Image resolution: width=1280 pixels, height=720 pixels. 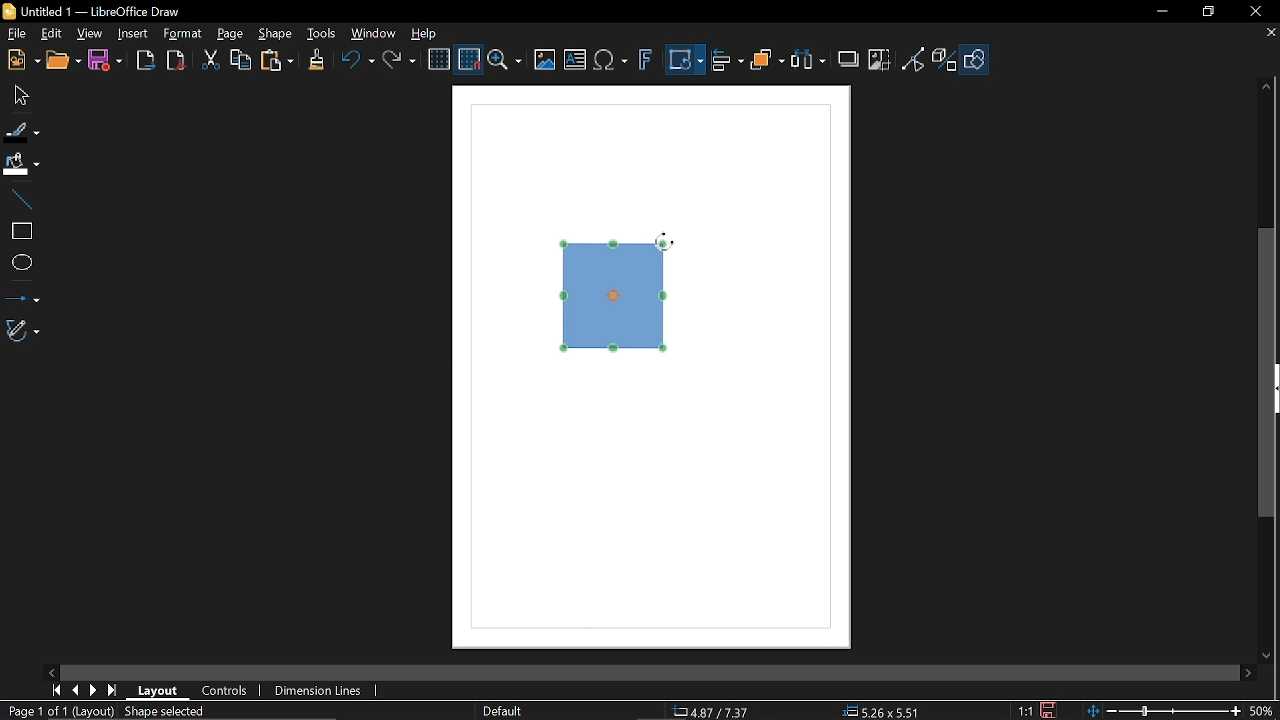 What do you see at coordinates (20, 200) in the screenshot?
I see `Line` at bounding box center [20, 200].